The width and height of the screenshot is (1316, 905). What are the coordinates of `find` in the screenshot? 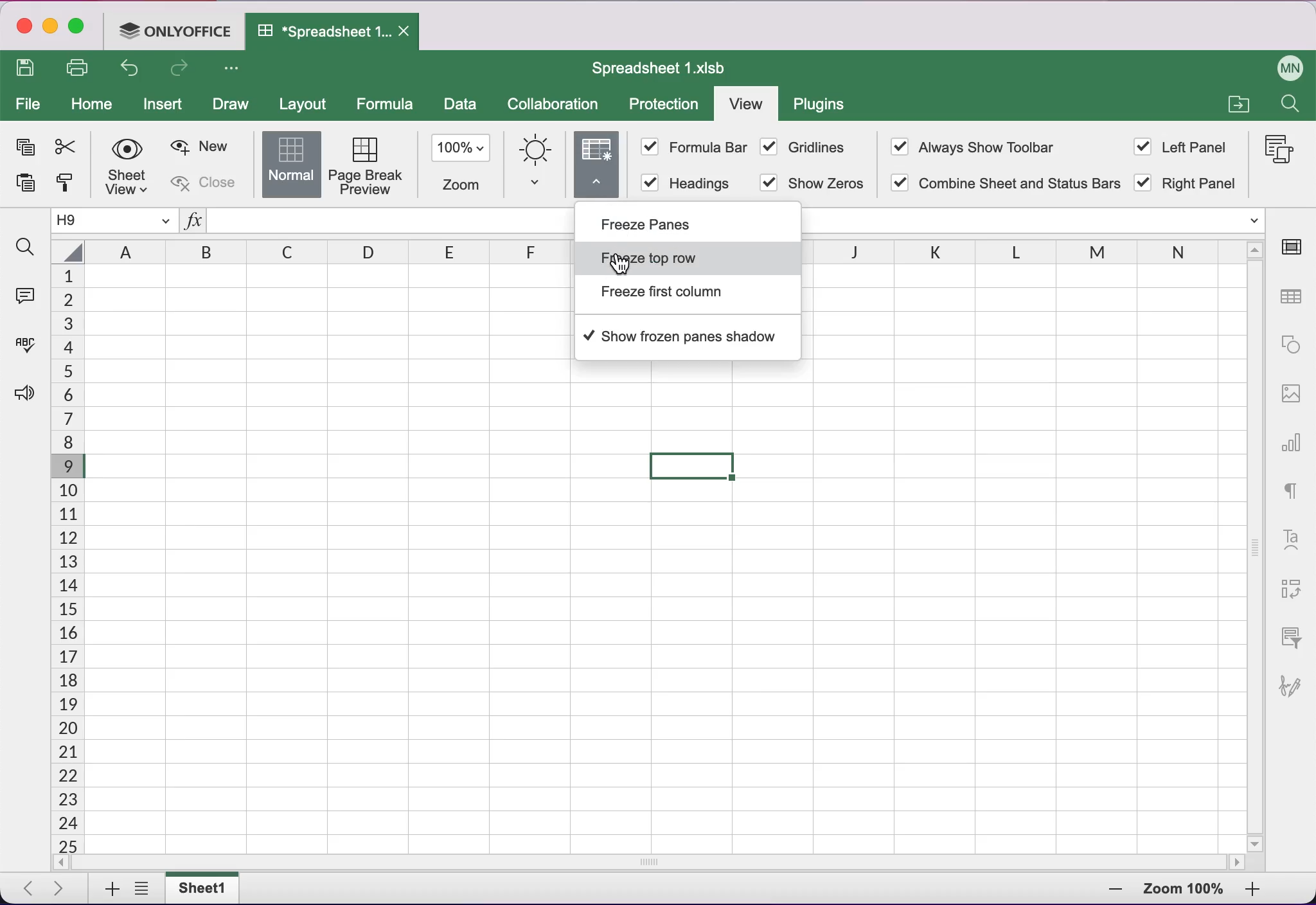 It's located at (1292, 105).